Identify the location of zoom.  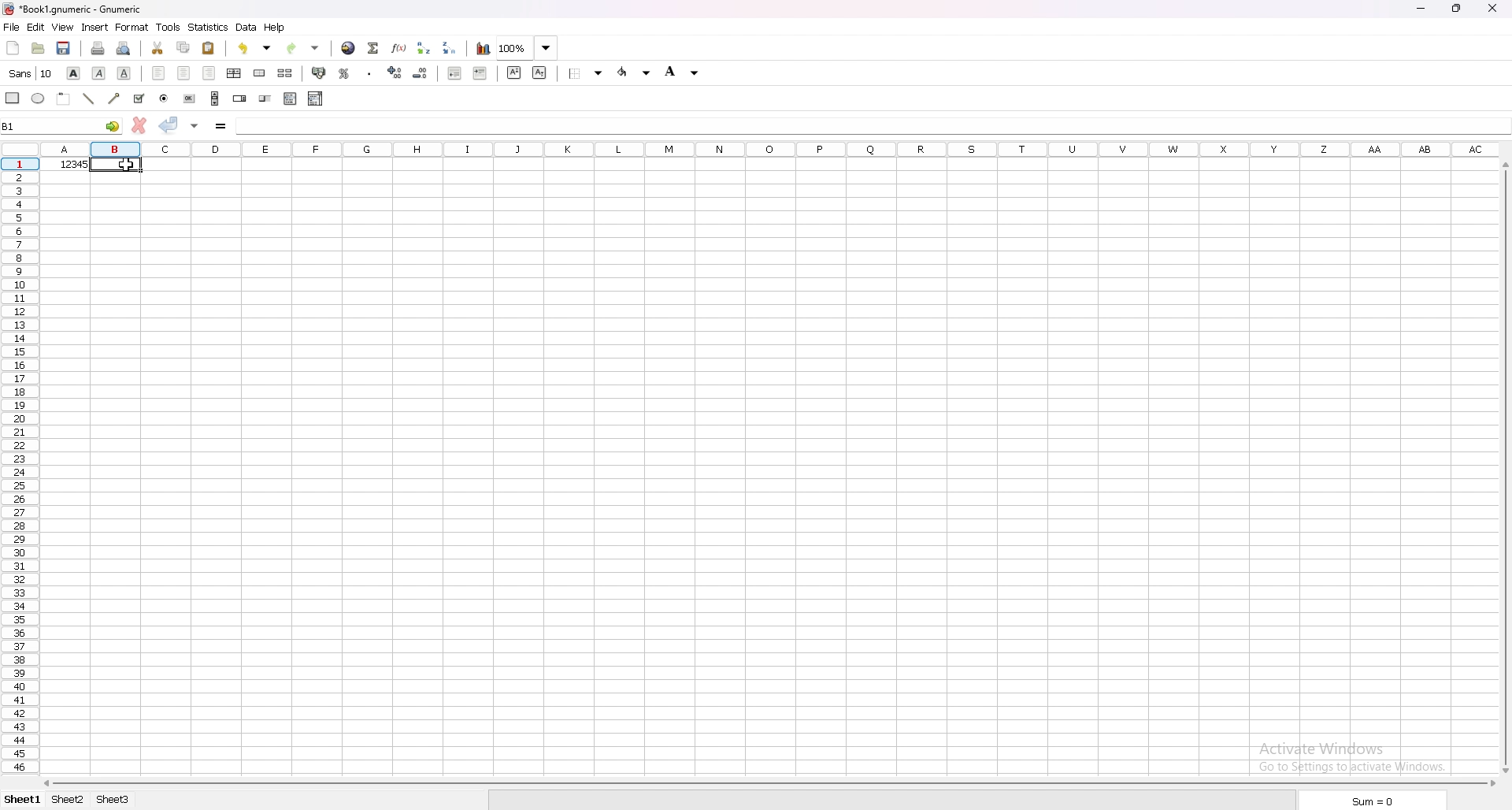
(528, 47).